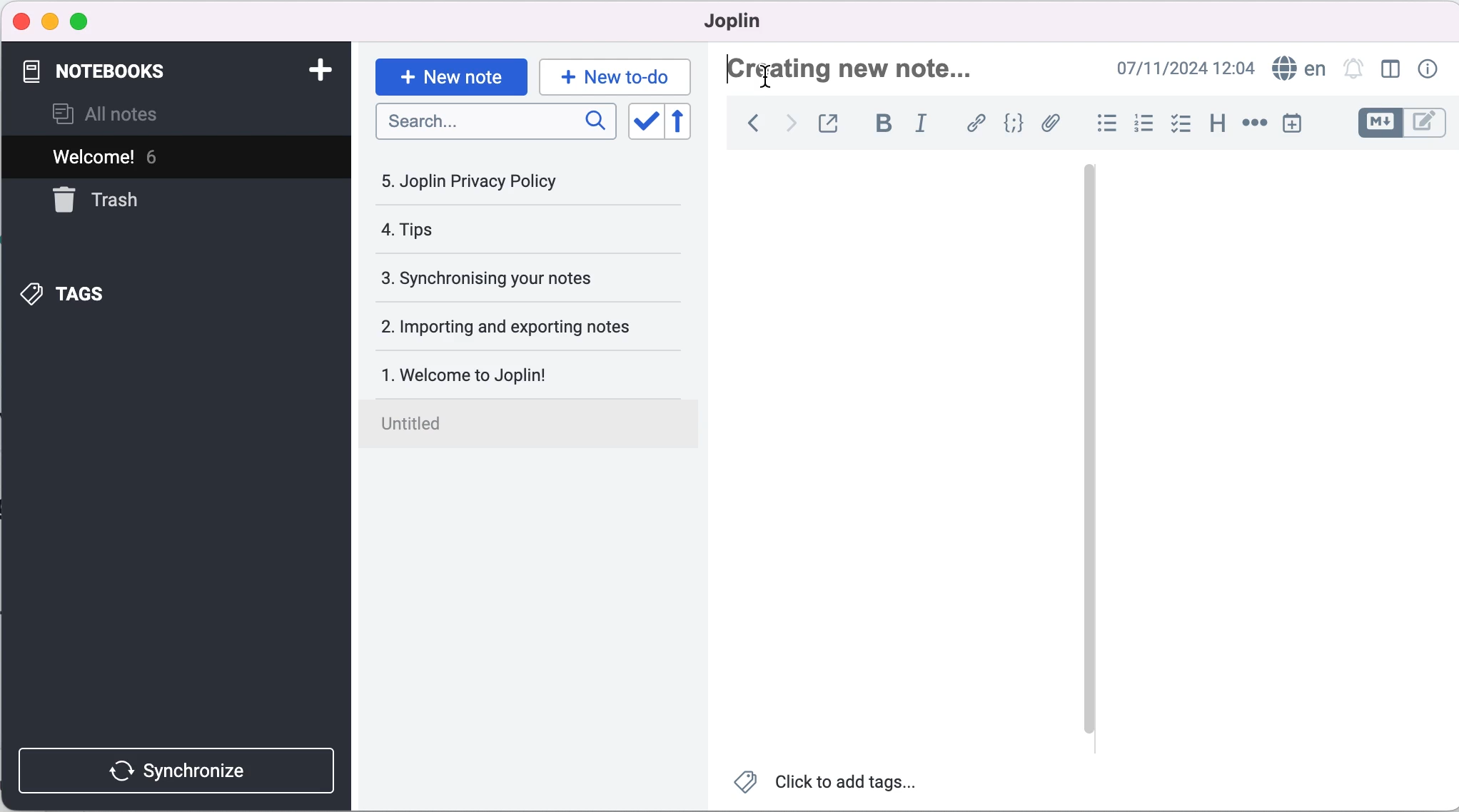 Image resolution: width=1459 pixels, height=812 pixels. I want to click on all notes, so click(127, 113).